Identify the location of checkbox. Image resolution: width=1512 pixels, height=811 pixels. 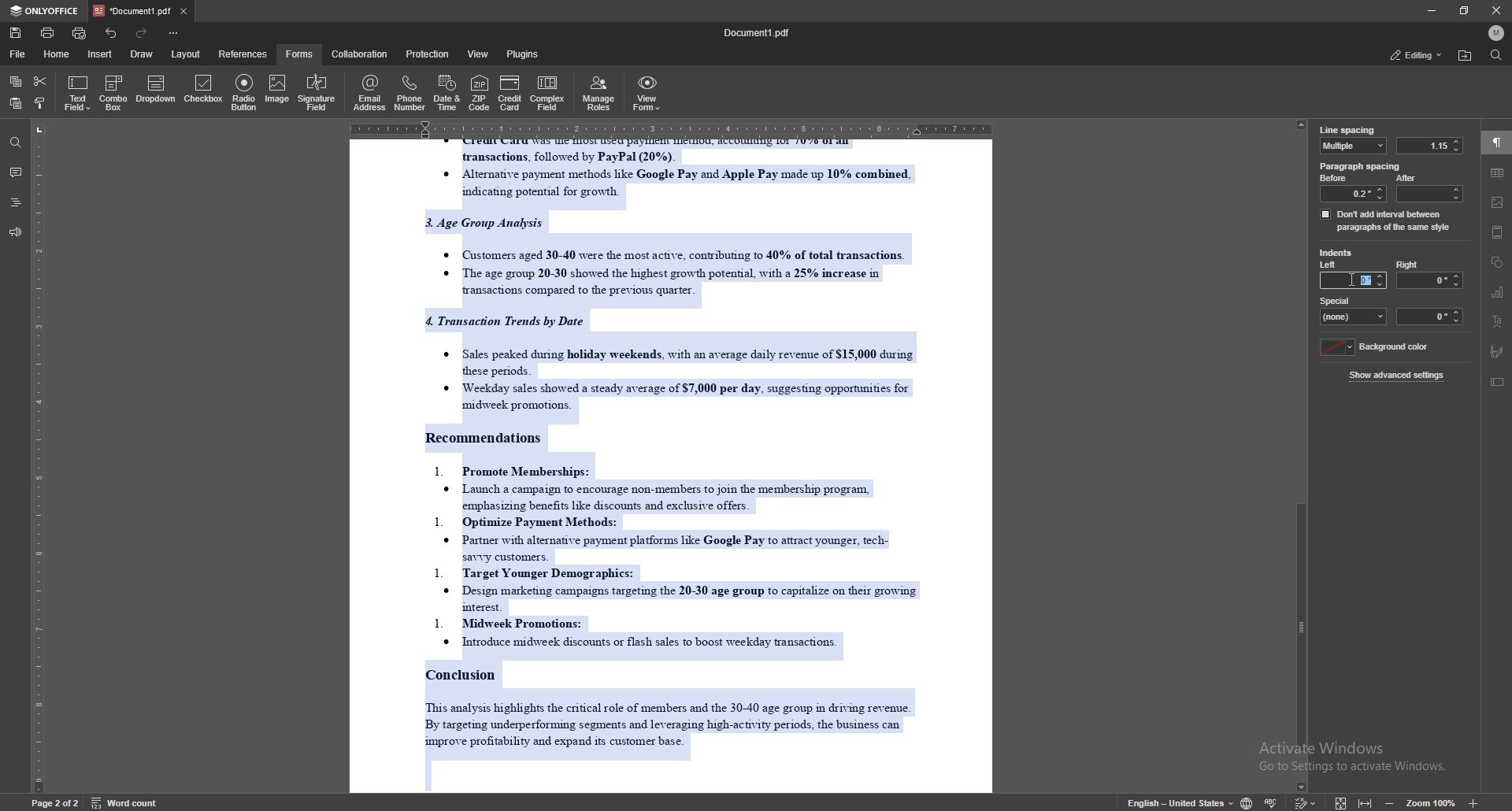
(205, 91).